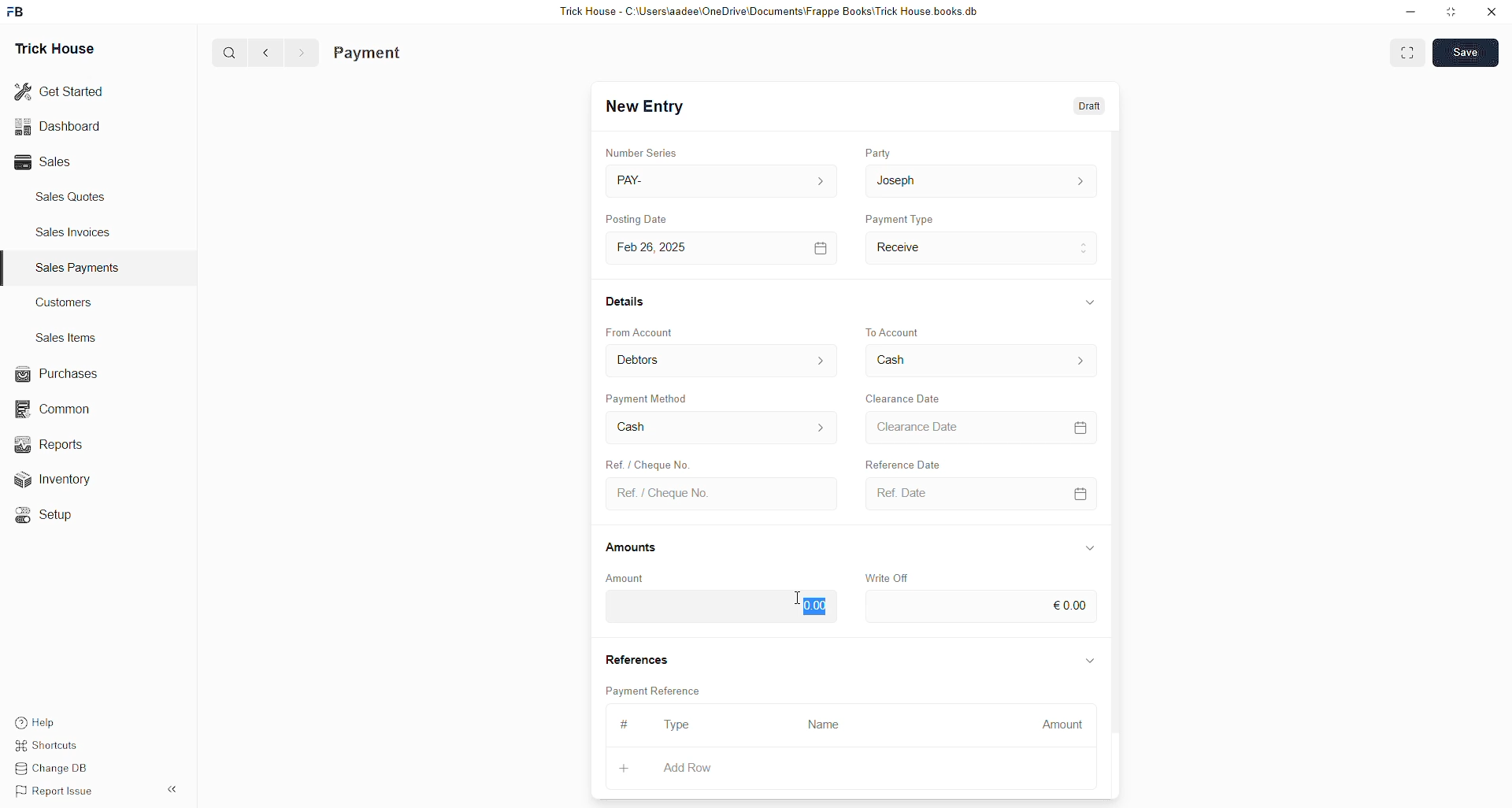 This screenshot has width=1512, height=808. I want to click on To Account, so click(981, 360).